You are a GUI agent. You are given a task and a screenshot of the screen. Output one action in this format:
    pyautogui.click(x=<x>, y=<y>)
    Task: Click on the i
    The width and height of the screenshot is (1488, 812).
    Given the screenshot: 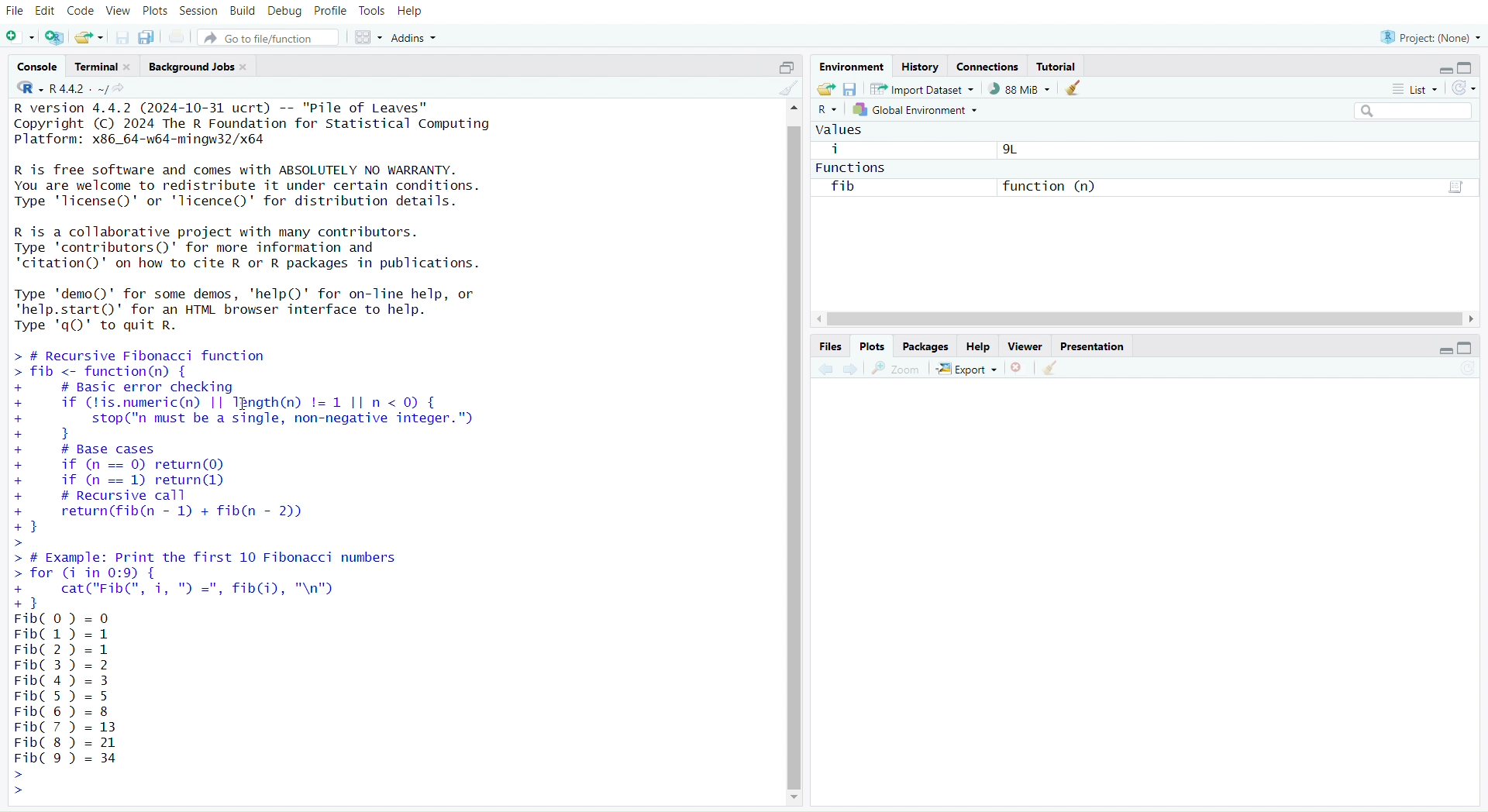 What is the action you would take?
    pyautogui.click(x=836, y=149)
    